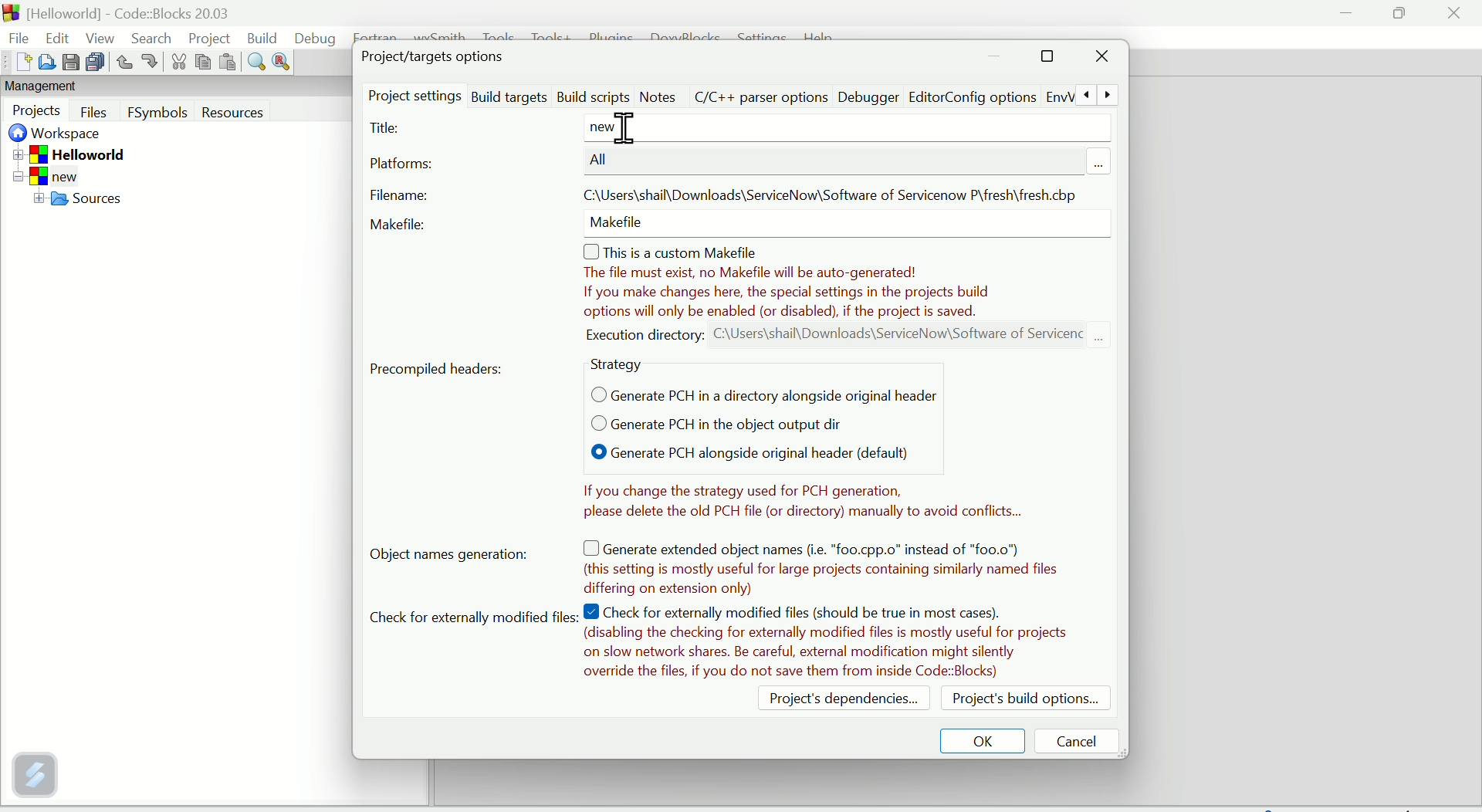 Image resolution: width=1482 pixels, height=812 pixels. I want to click on Find, so click(255, 64).